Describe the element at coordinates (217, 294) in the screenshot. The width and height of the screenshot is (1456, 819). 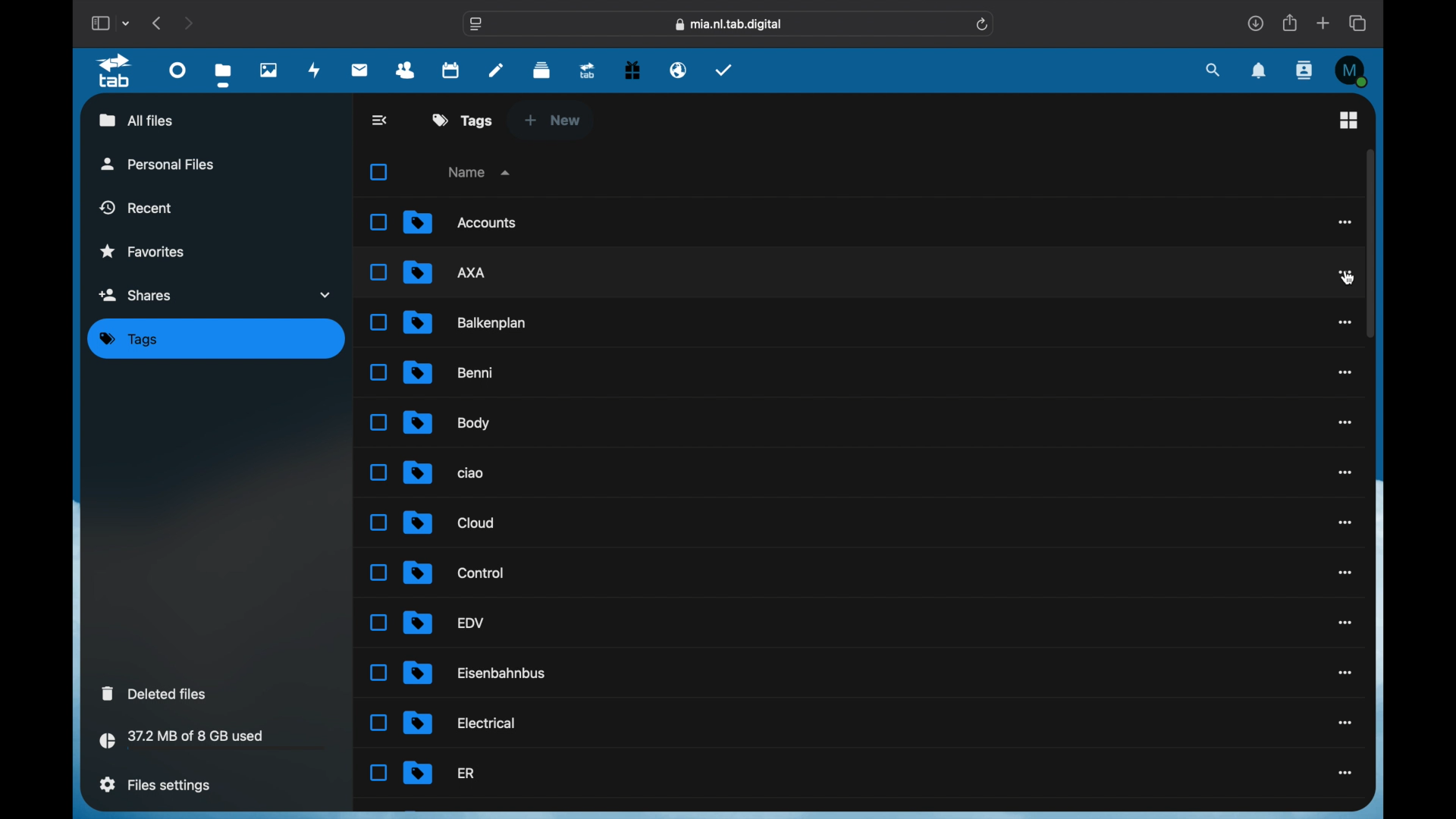
I see `shares` at that location.